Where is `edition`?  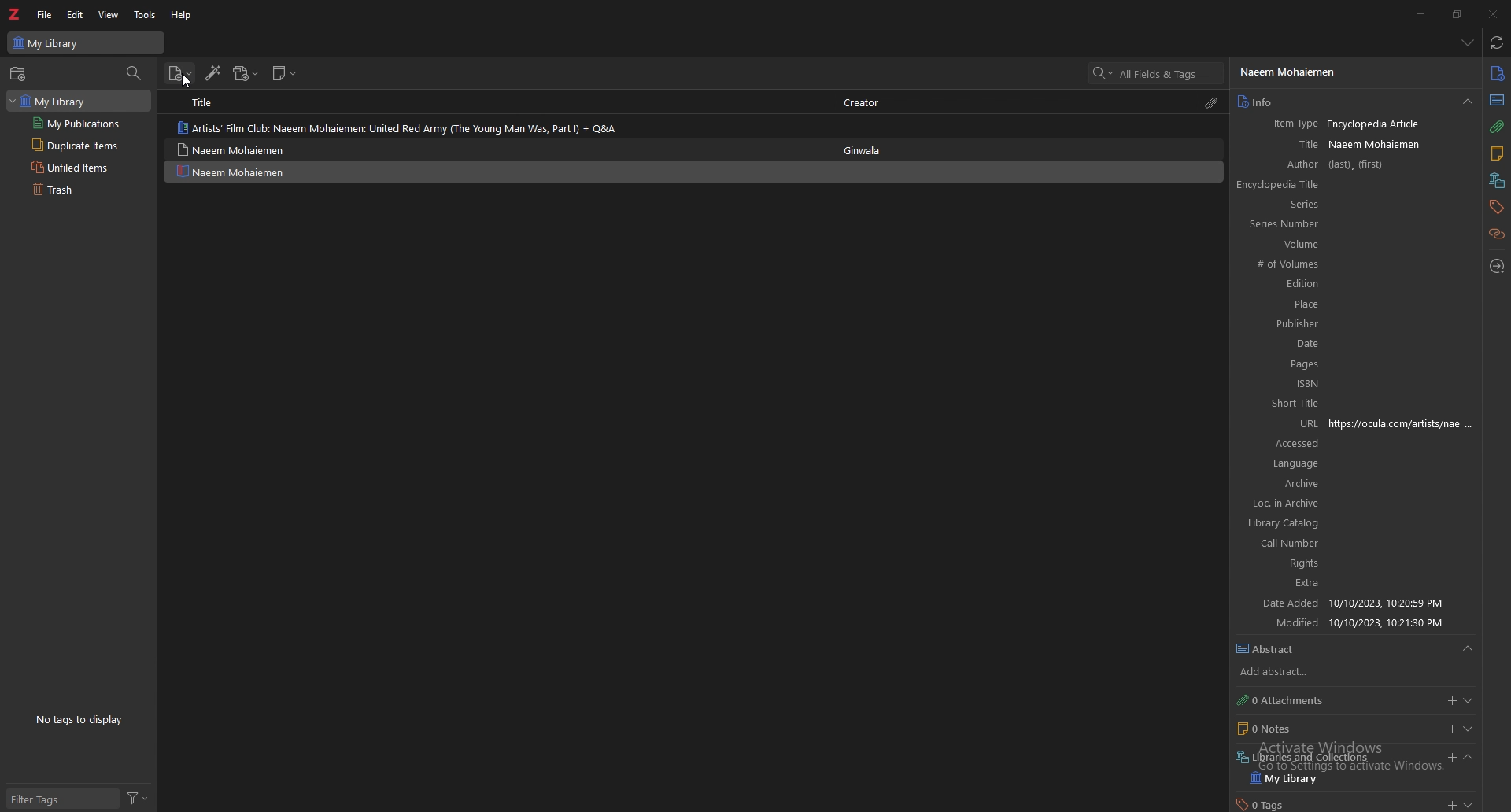
edition is located at coordinates (1279, 285).